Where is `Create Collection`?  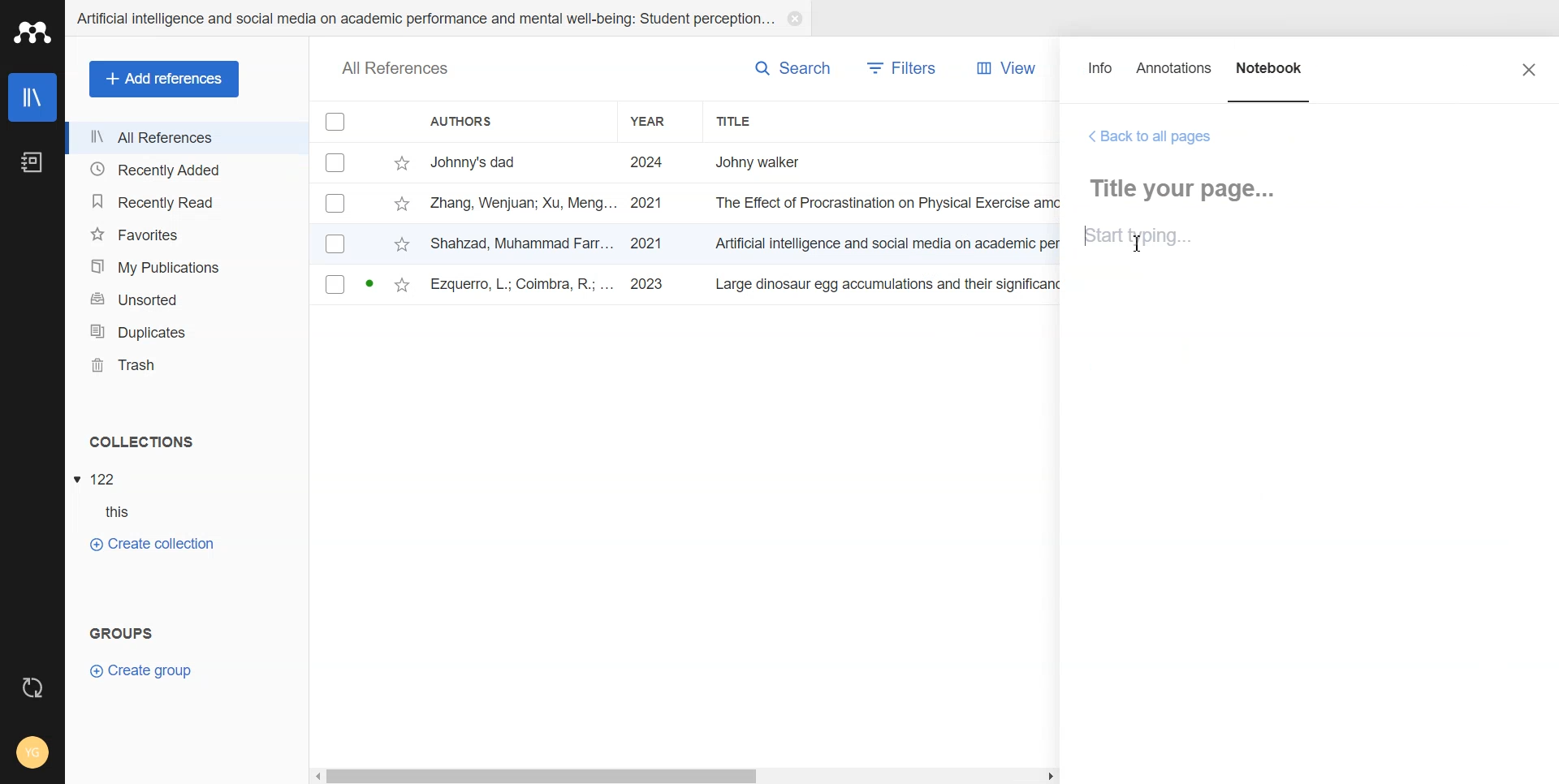
Create Collection is located at coordinates (151, 543).